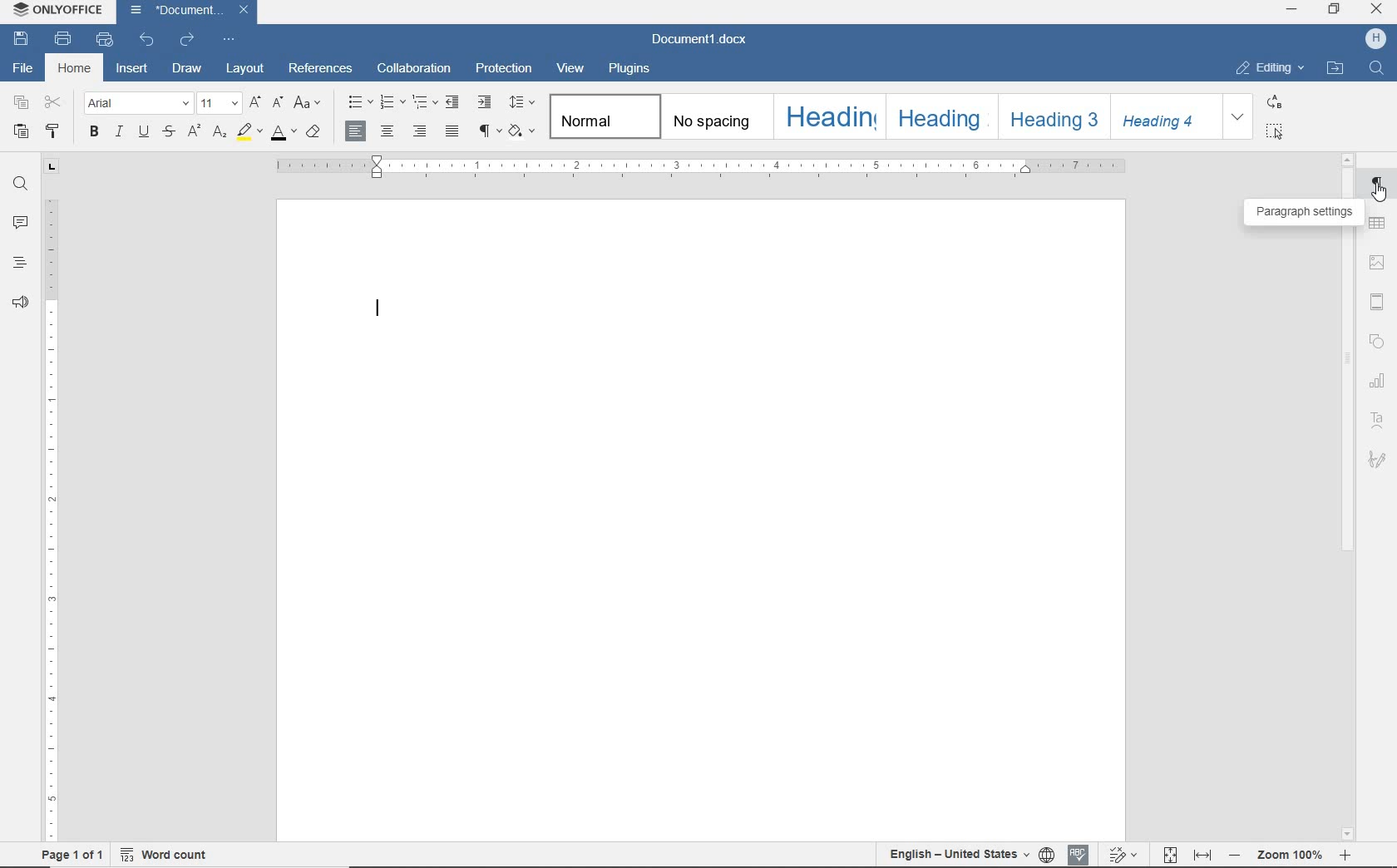  What do you see at coordinates (1122, 856) in the screenshot?
I see `track changes` at bounding box center [1122, 856].